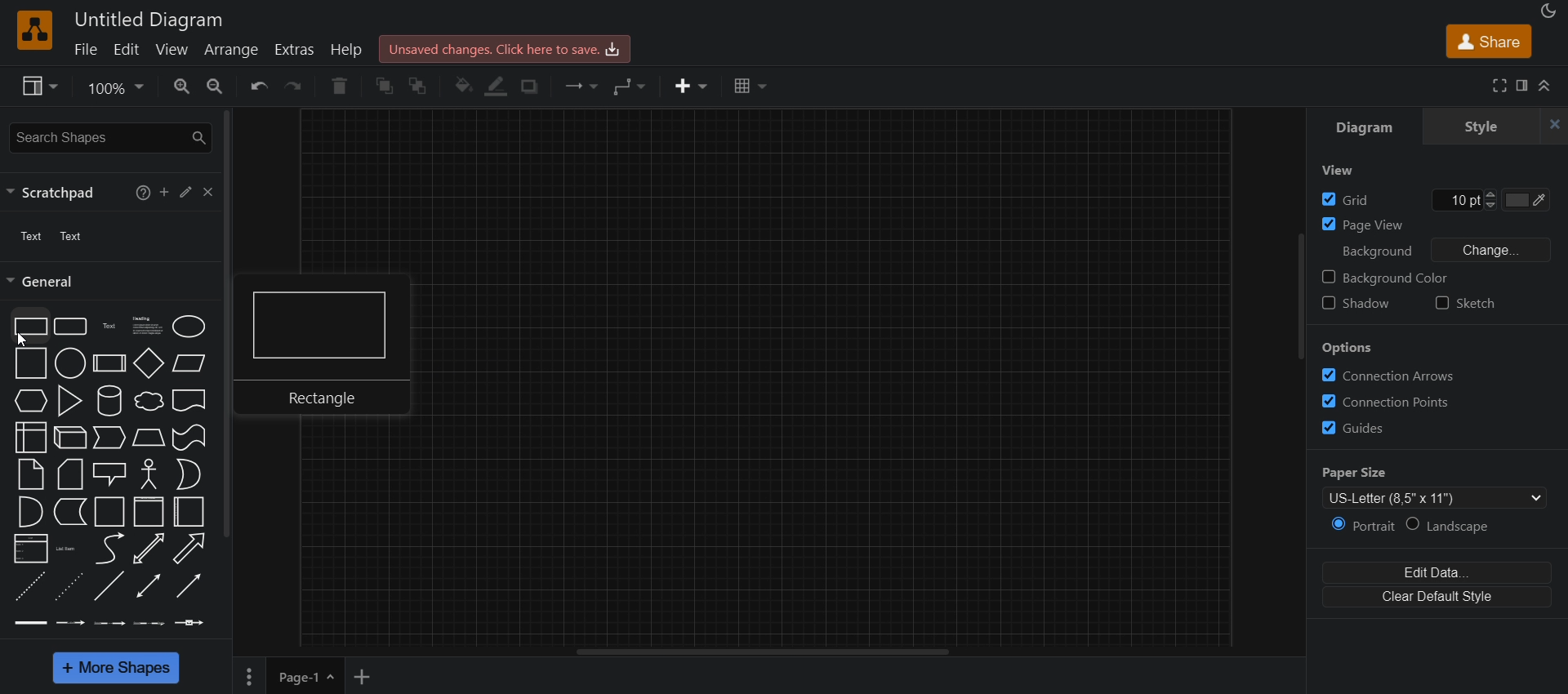 The width and height of the screenshot is (1568, 694). Describe the element at coordinates (1528, 198) in the screenshot. I see `fill color` at that location.